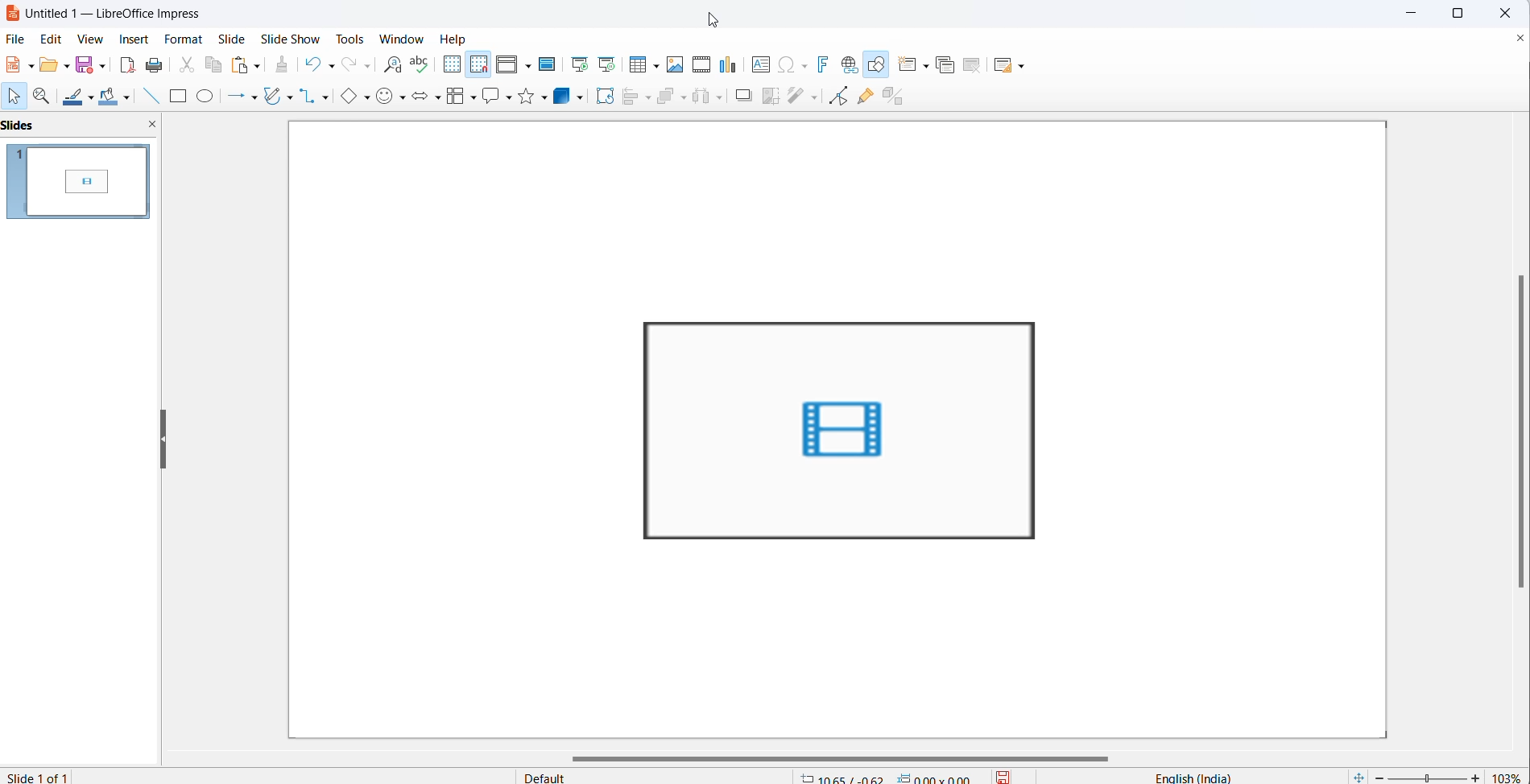  What do you see at coordinates (213, 66) in the screenshot?
I see `copy` at bounding box center [213, 66].